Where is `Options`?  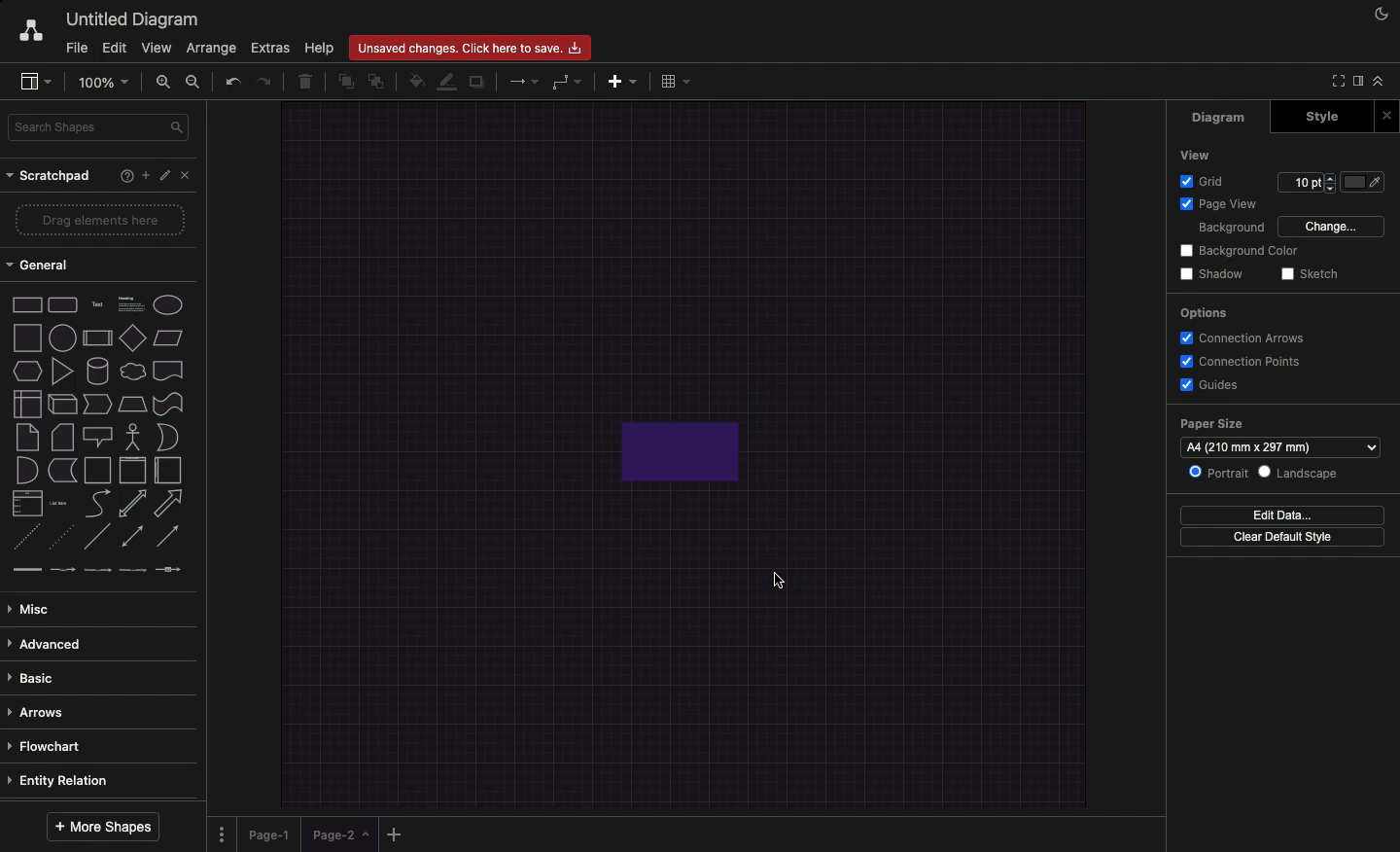 Options is located at coordinates (1206, 312).